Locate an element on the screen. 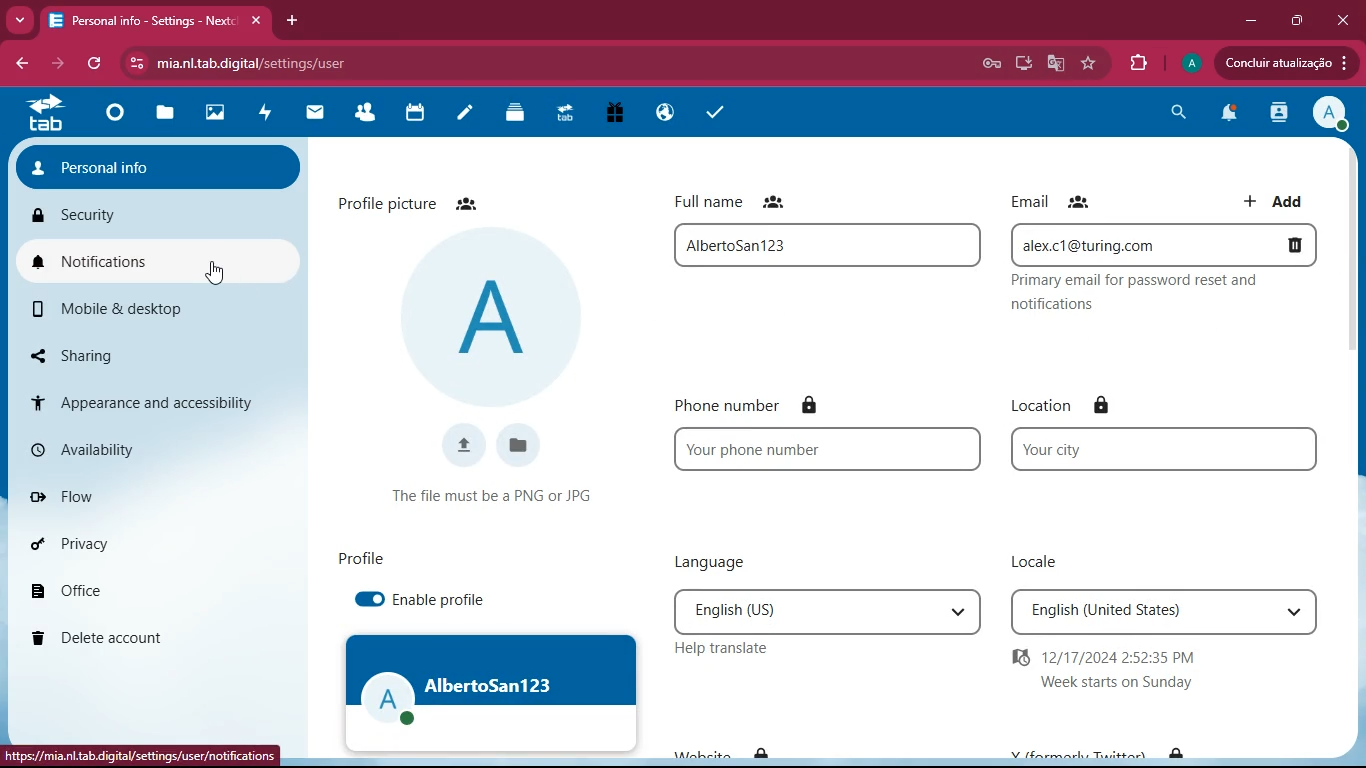 This screenshot has height=768, width=1366. extensions is located at coordinates (1140, 60).